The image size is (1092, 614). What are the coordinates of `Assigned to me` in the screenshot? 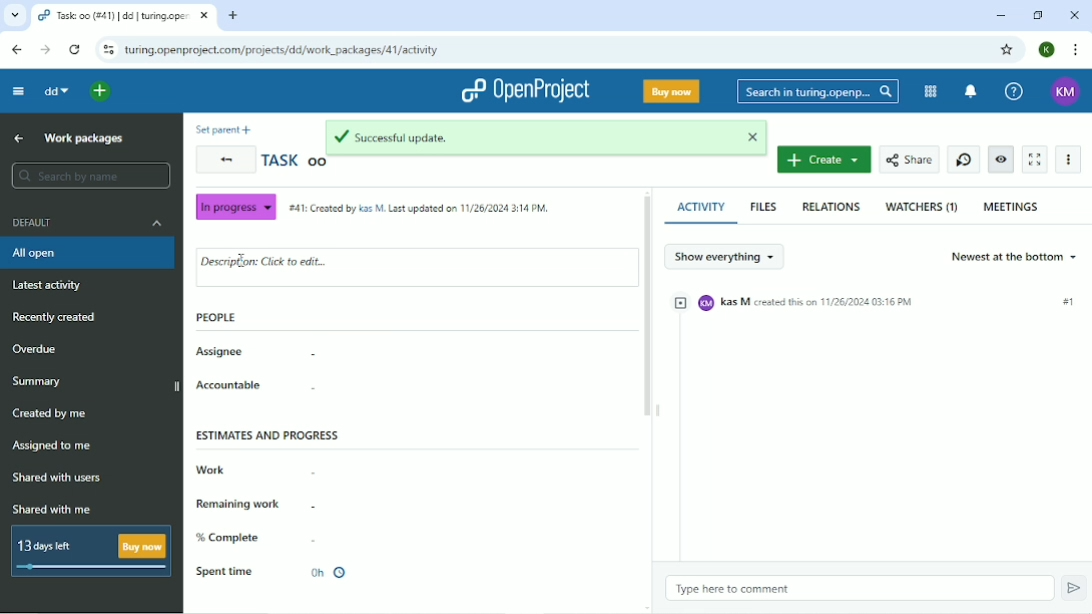 It's located at (55, 445).